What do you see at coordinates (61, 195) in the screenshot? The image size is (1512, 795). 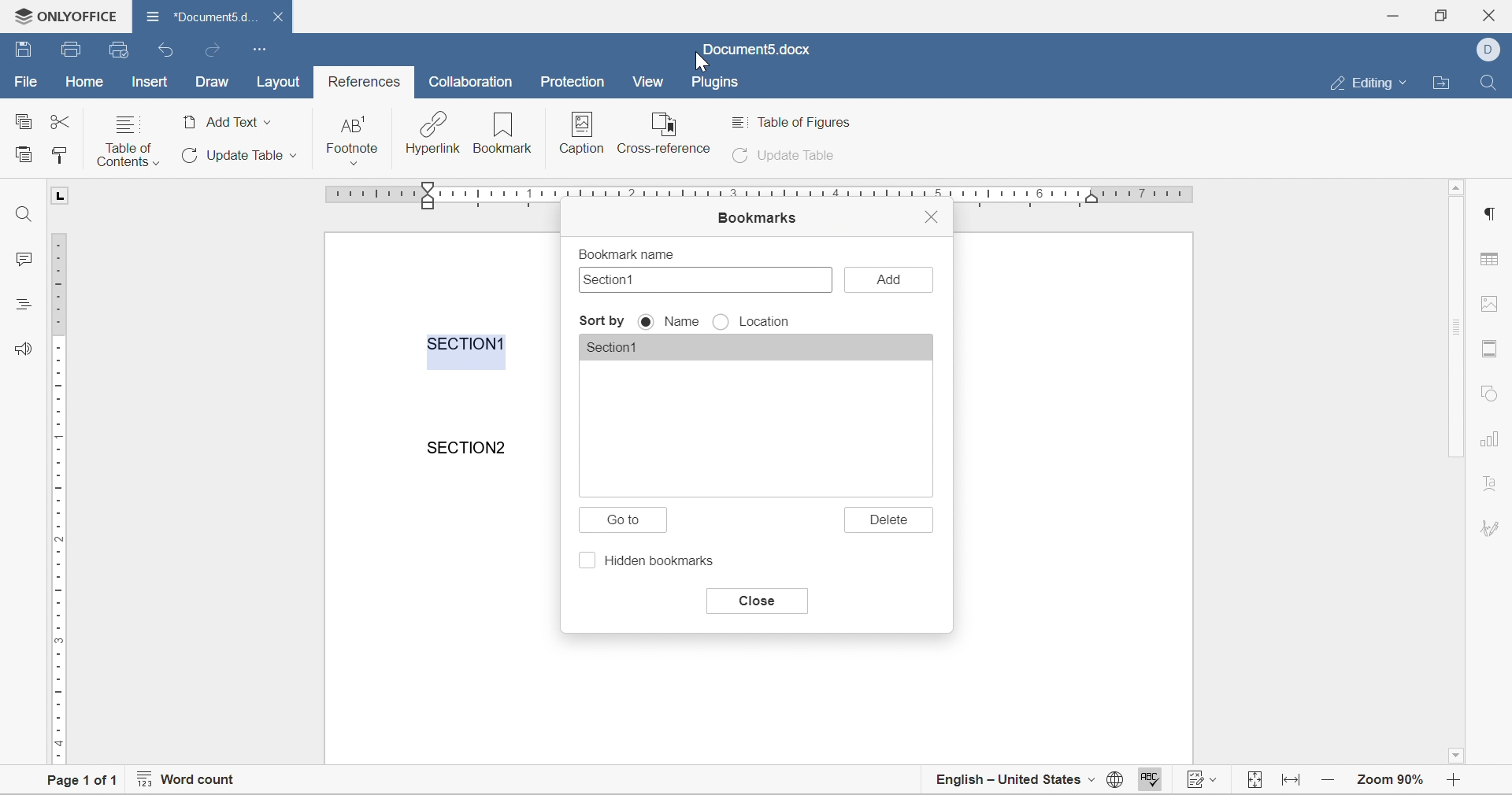 I see `L` at bounding box center [61, 195].